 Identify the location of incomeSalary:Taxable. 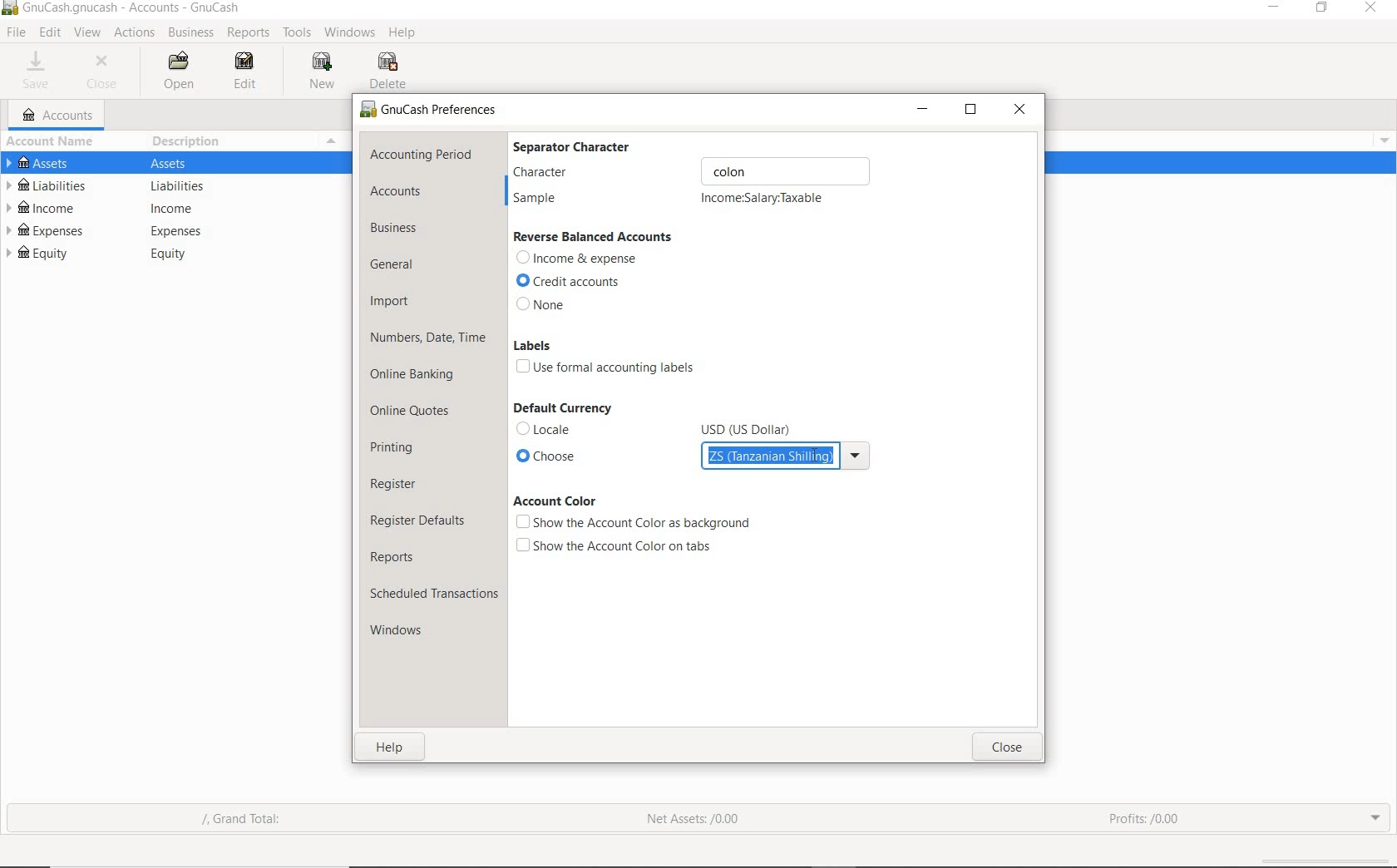
(763, 201).